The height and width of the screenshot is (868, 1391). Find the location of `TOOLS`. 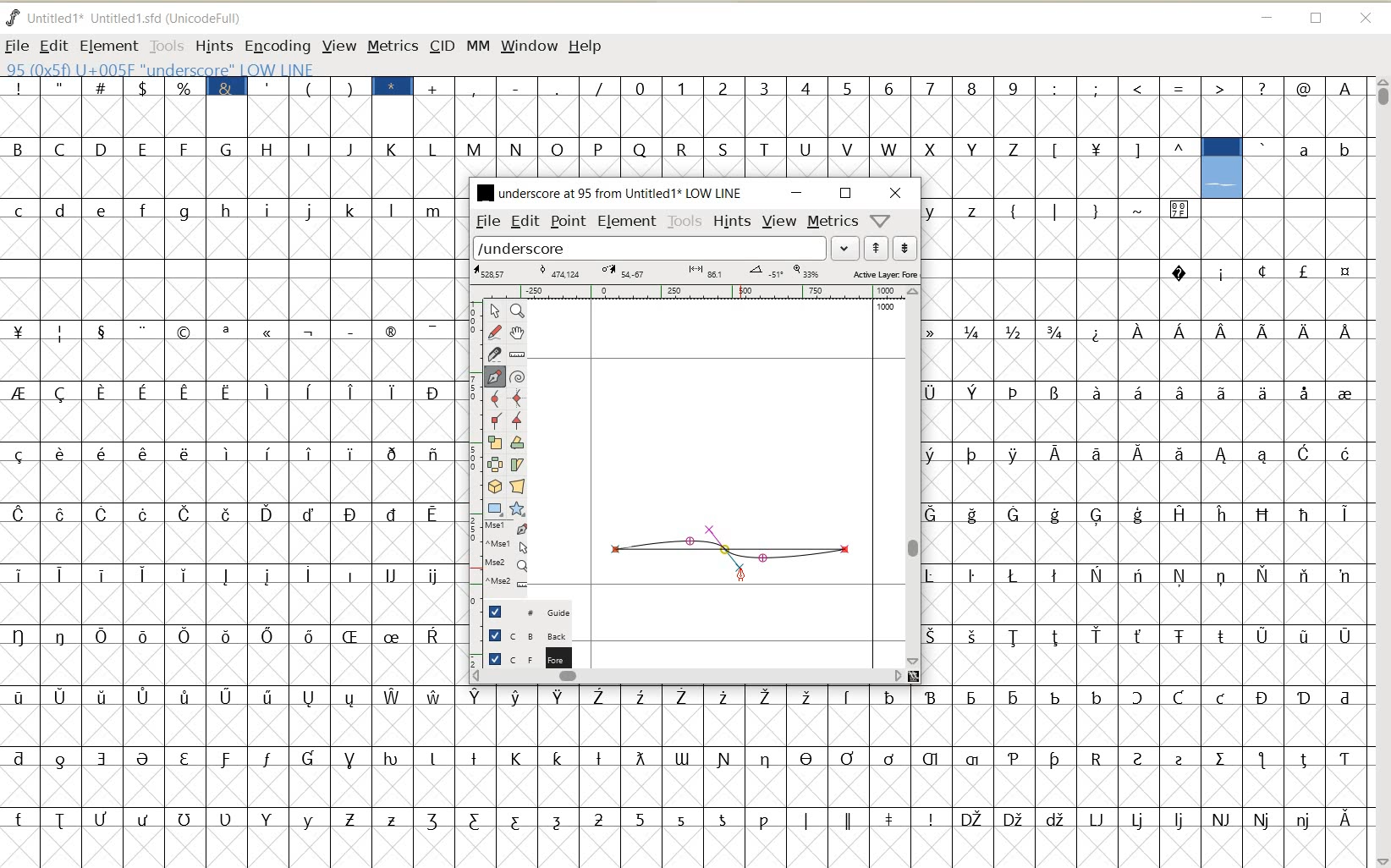

TOOLS is located at coordinates (685, 222).